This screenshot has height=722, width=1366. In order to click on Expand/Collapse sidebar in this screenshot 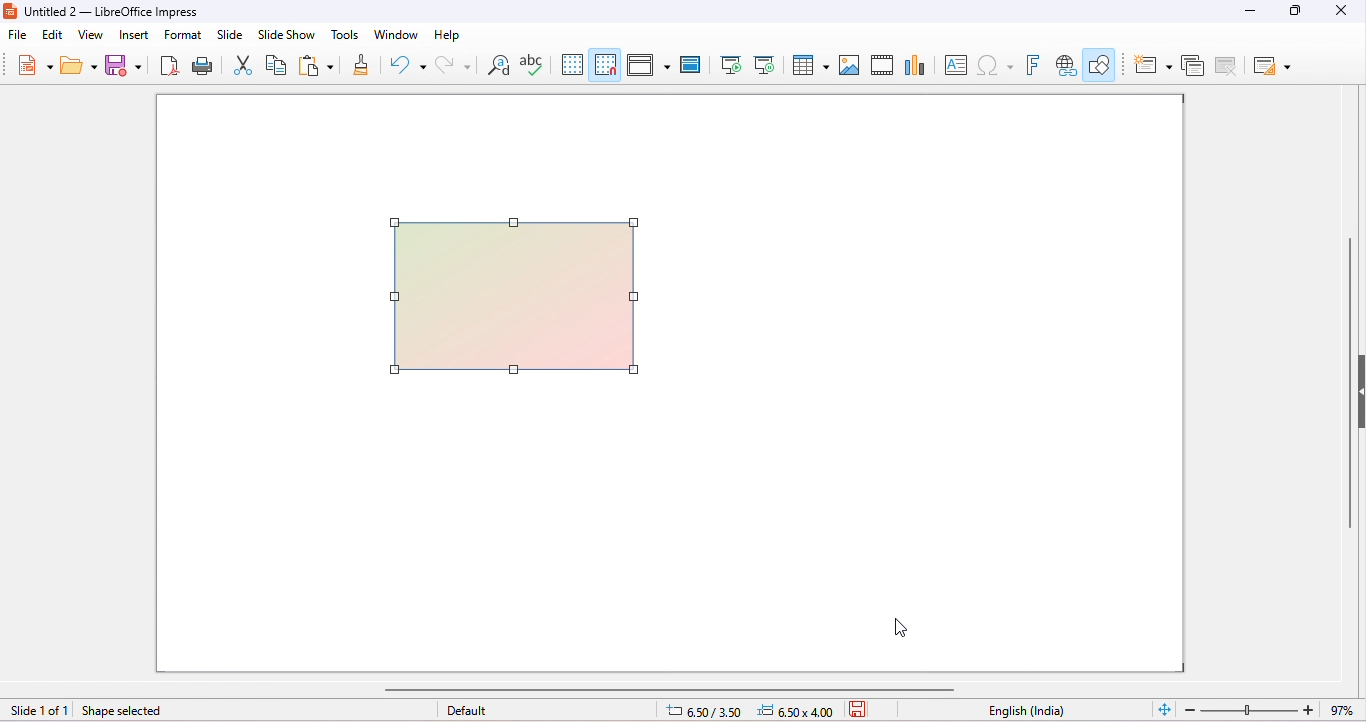, I will do `click(1361, 391)`.